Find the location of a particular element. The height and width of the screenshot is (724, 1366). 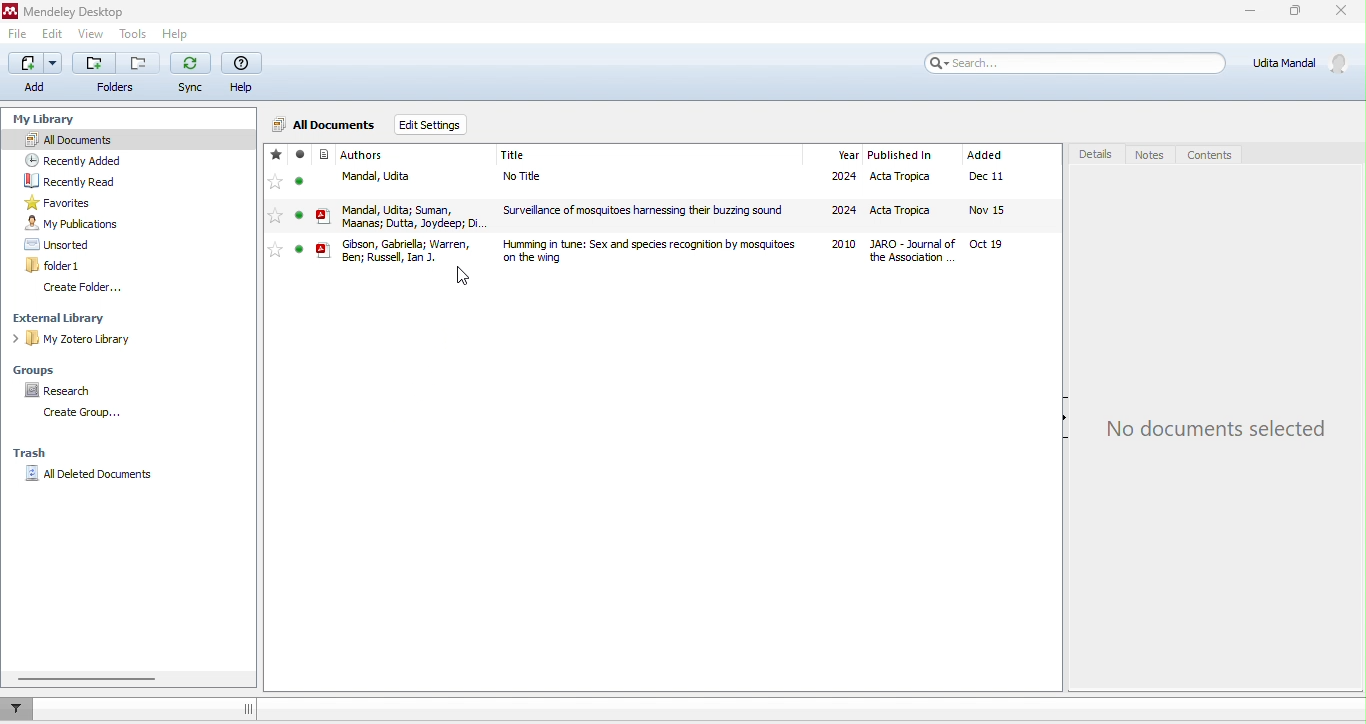

maximize is located at coordinates (1295, 14).